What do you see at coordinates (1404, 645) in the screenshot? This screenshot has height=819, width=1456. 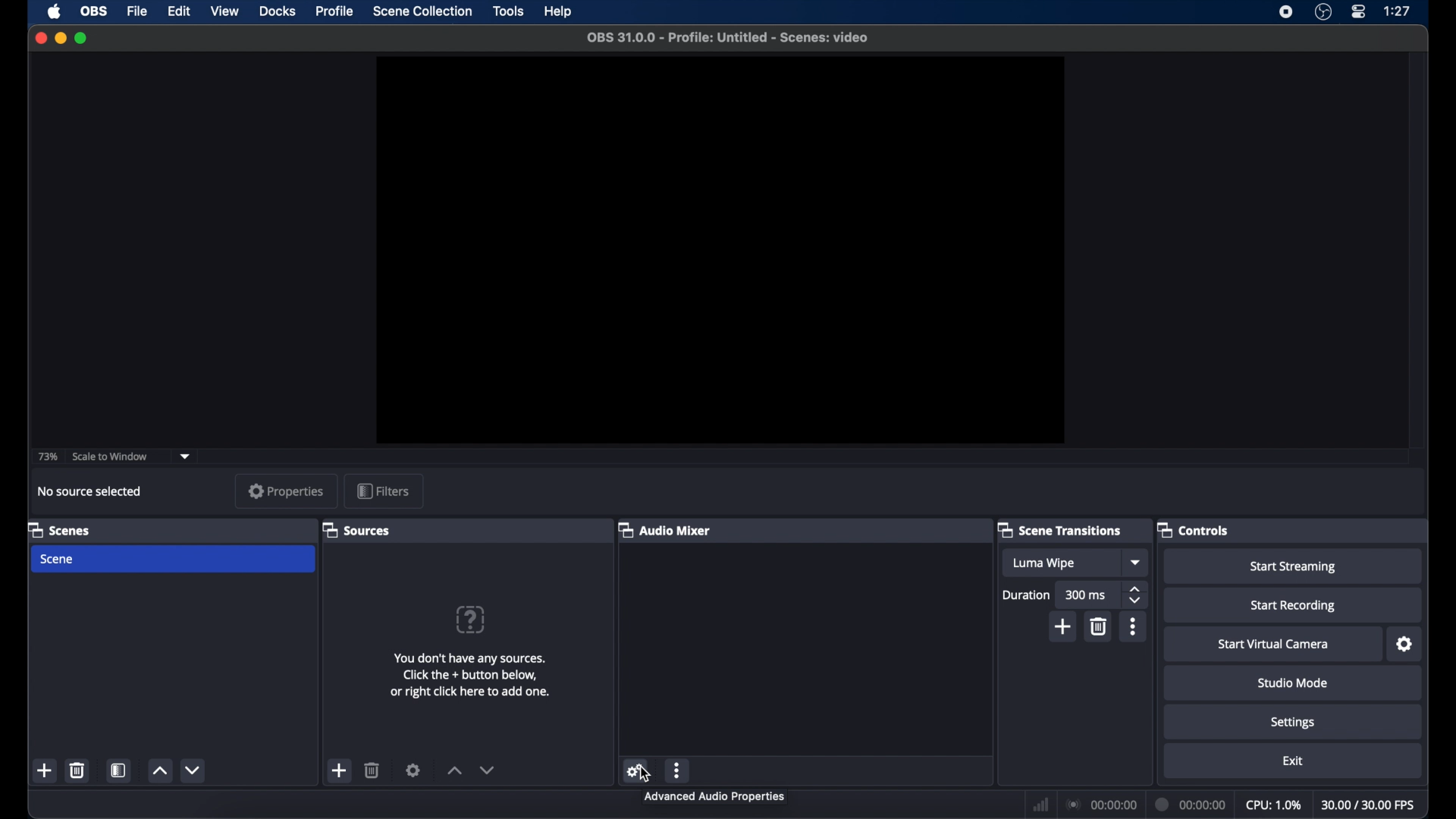 I see `settings` at bounding box center [1404, 645].